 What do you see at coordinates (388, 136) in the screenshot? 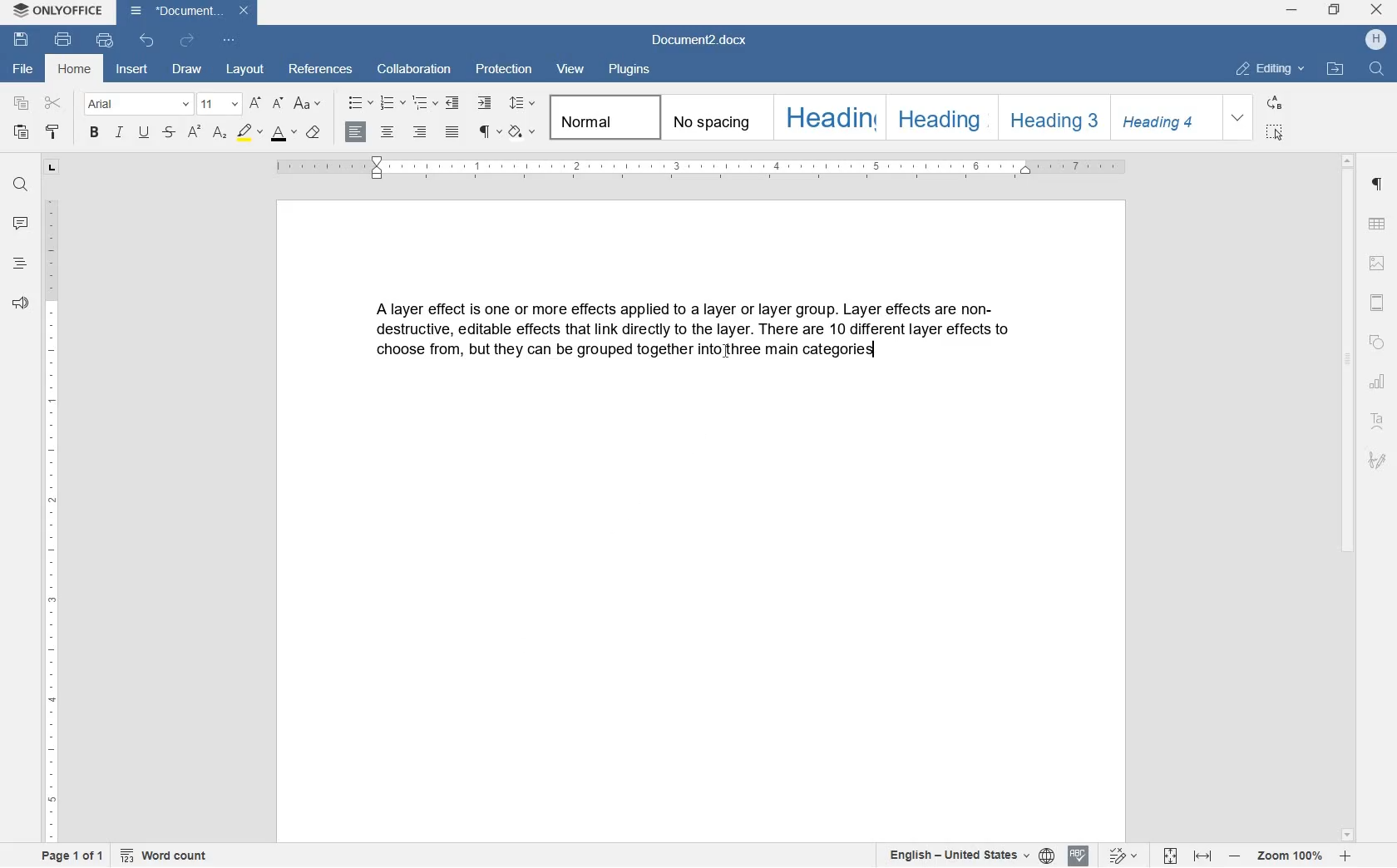
I see `align center` at bounding box center [388, 136].